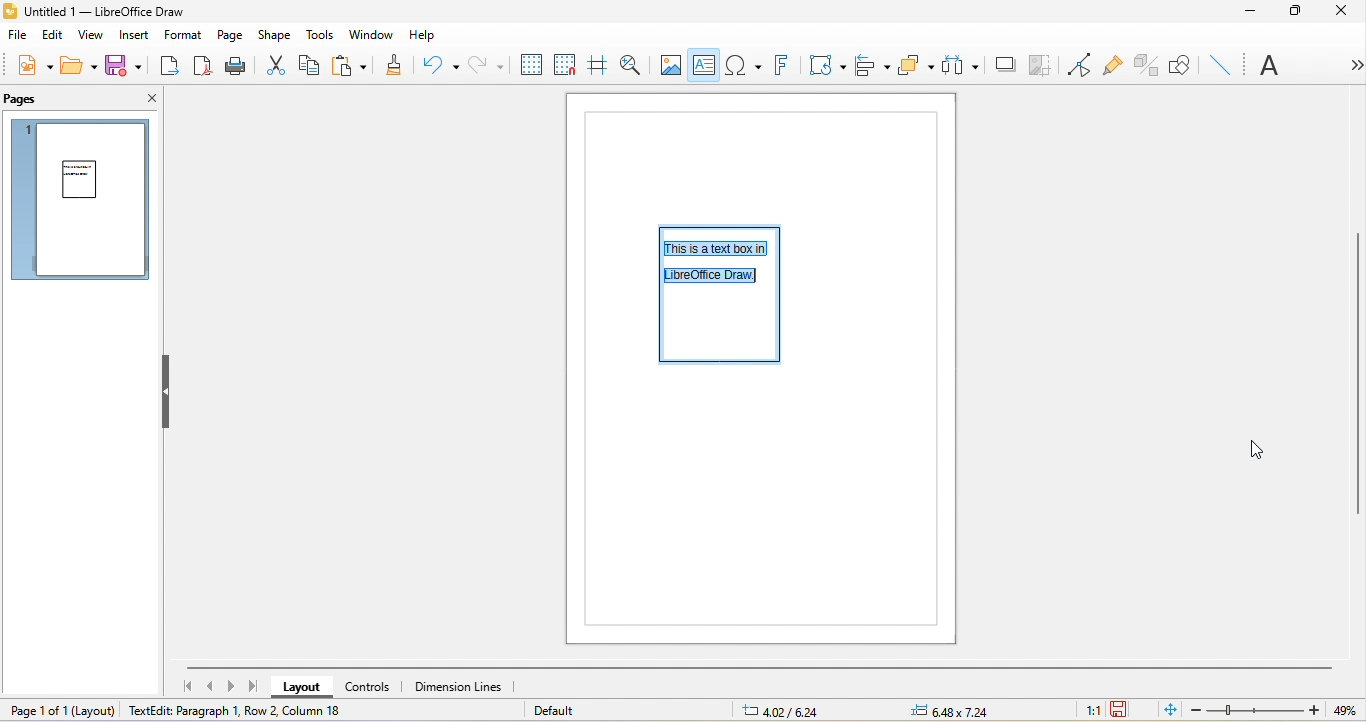  Describe the element at coordinates (1000, 63) in the screenshot. I see `shadow` at that location.